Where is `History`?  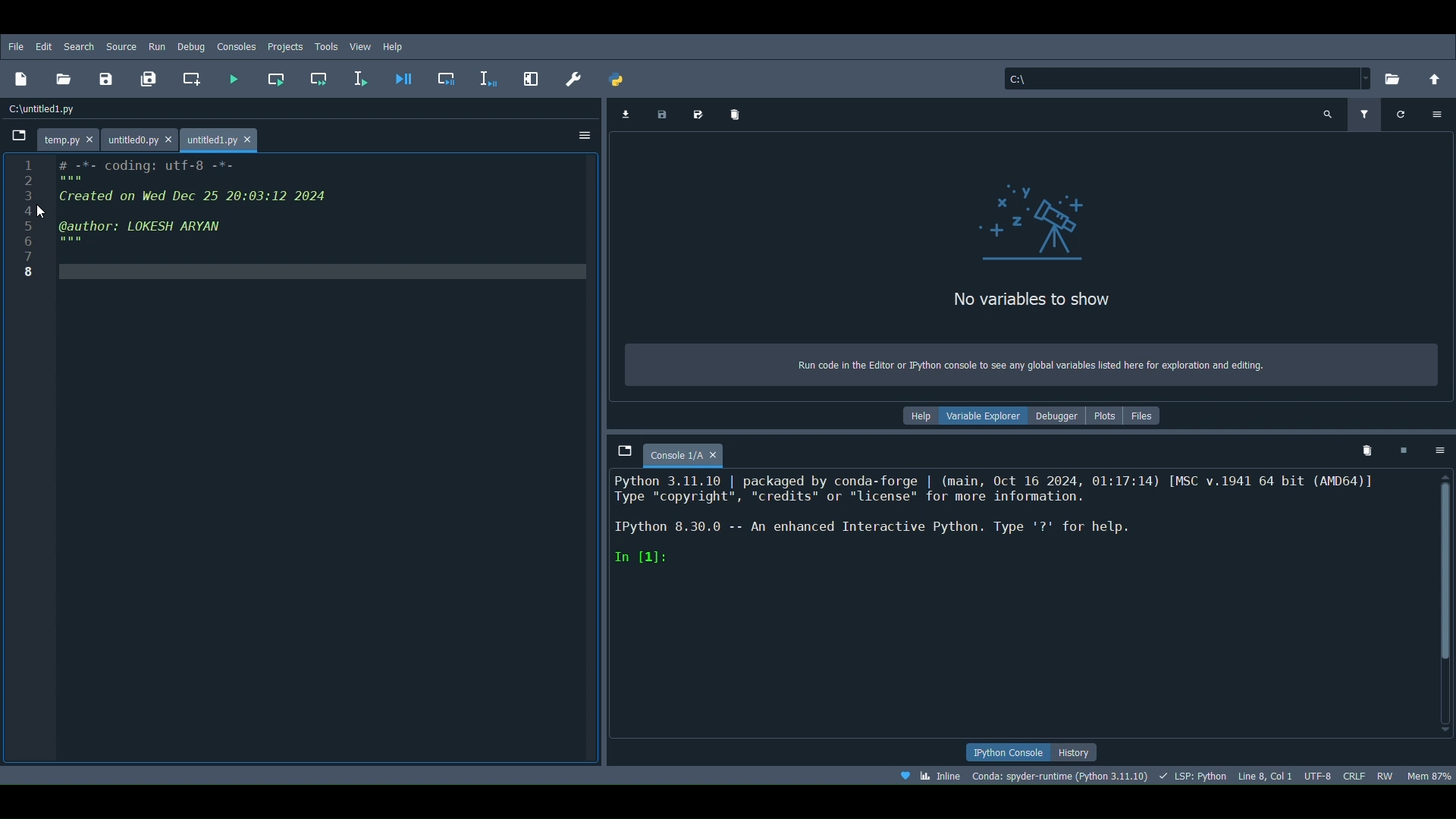 History is located at coordinates (1077, 752).